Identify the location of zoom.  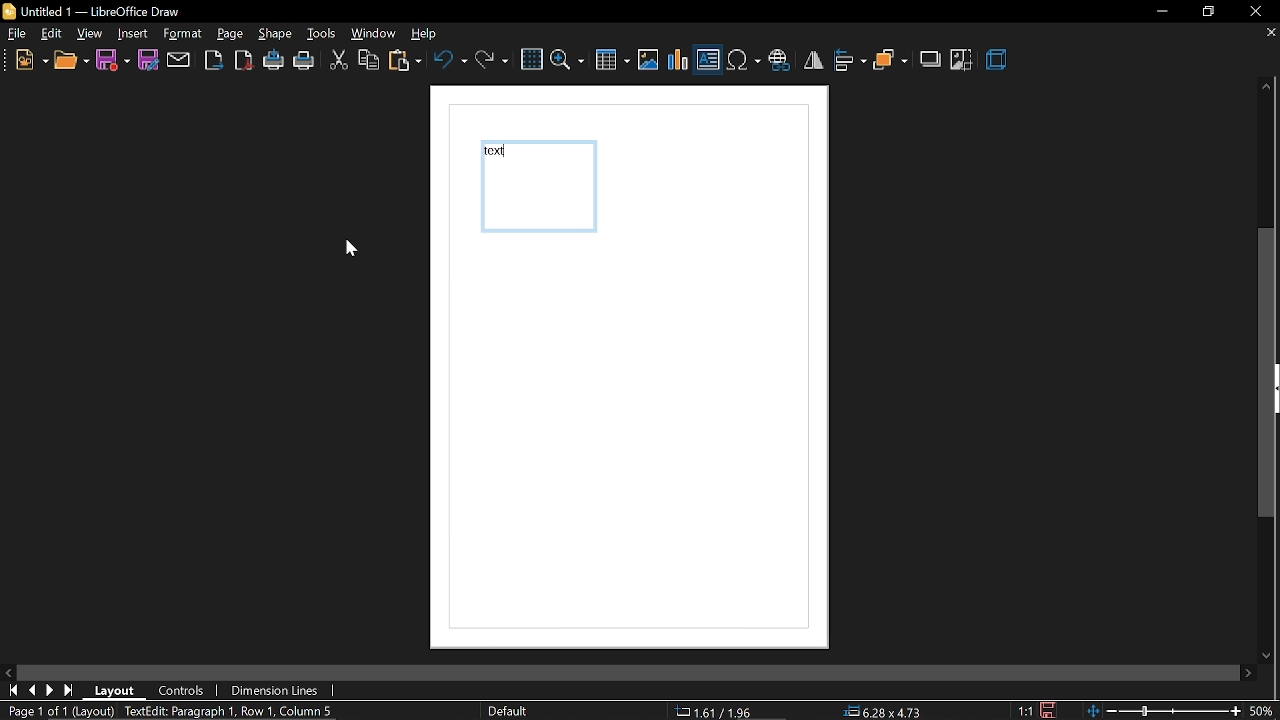
(568, 59).